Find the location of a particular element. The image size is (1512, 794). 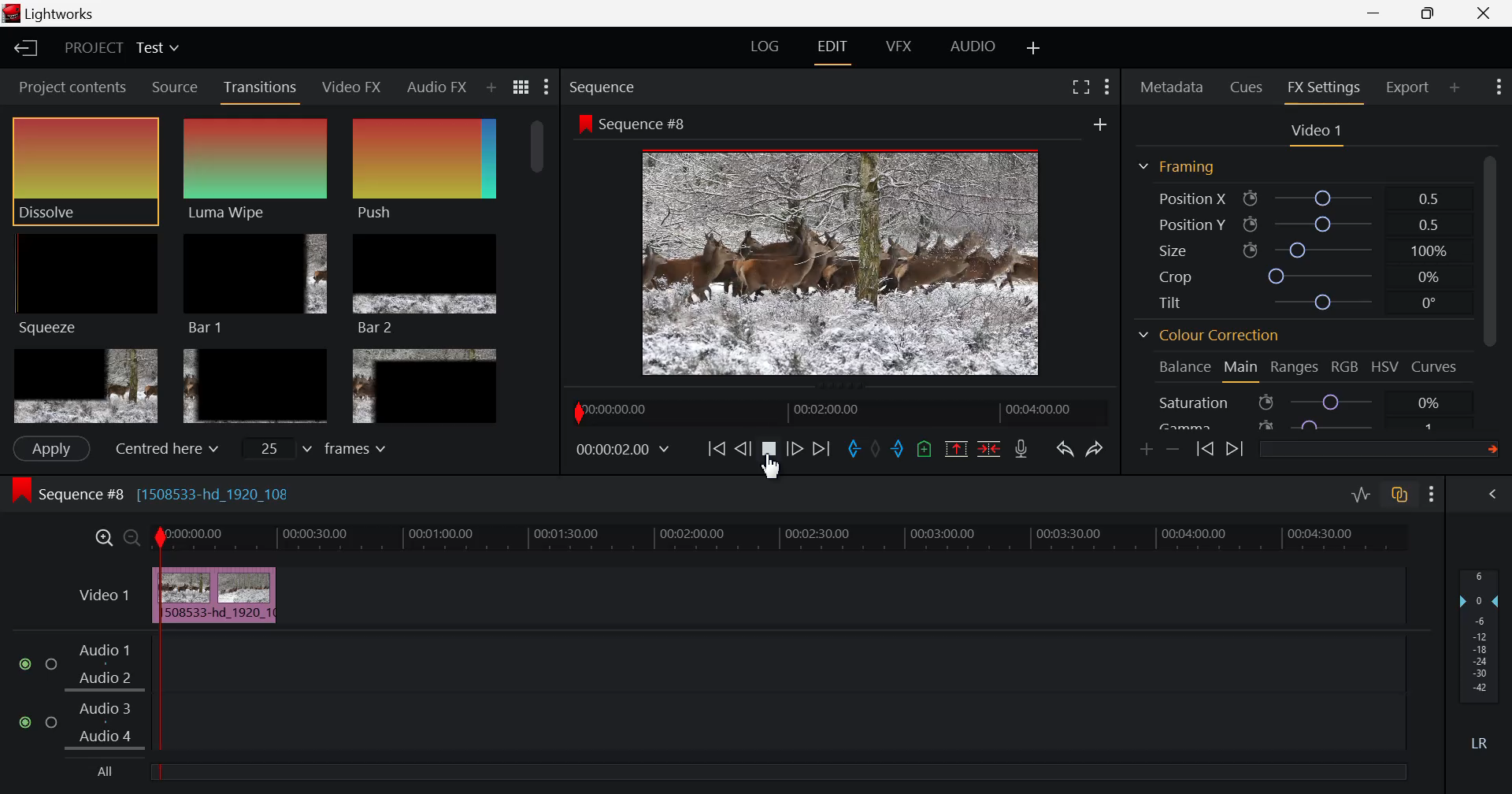

Balance is located at coordinates (1185, 368).